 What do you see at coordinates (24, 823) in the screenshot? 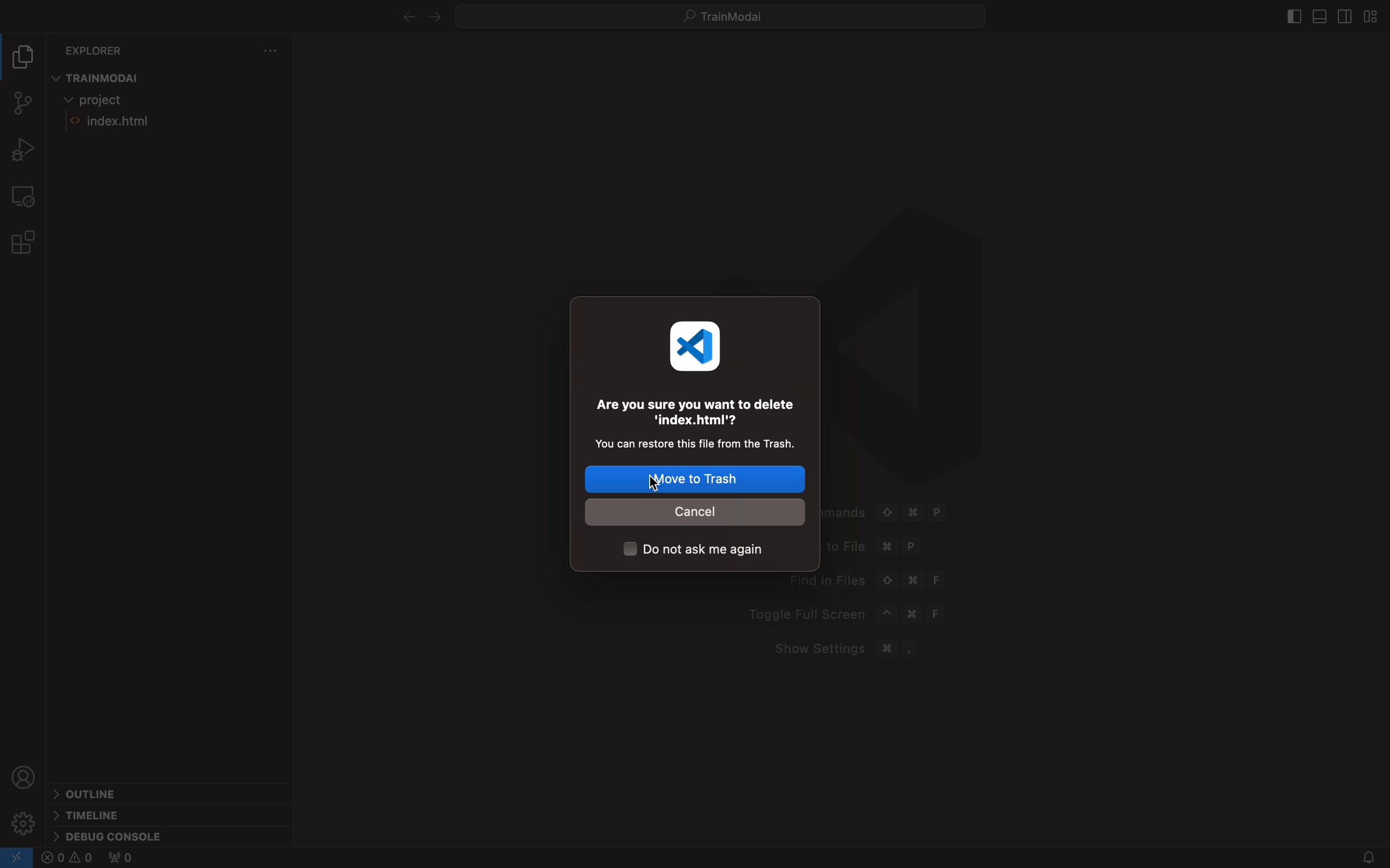
I see `settingd` at bounding box center [24, 823].